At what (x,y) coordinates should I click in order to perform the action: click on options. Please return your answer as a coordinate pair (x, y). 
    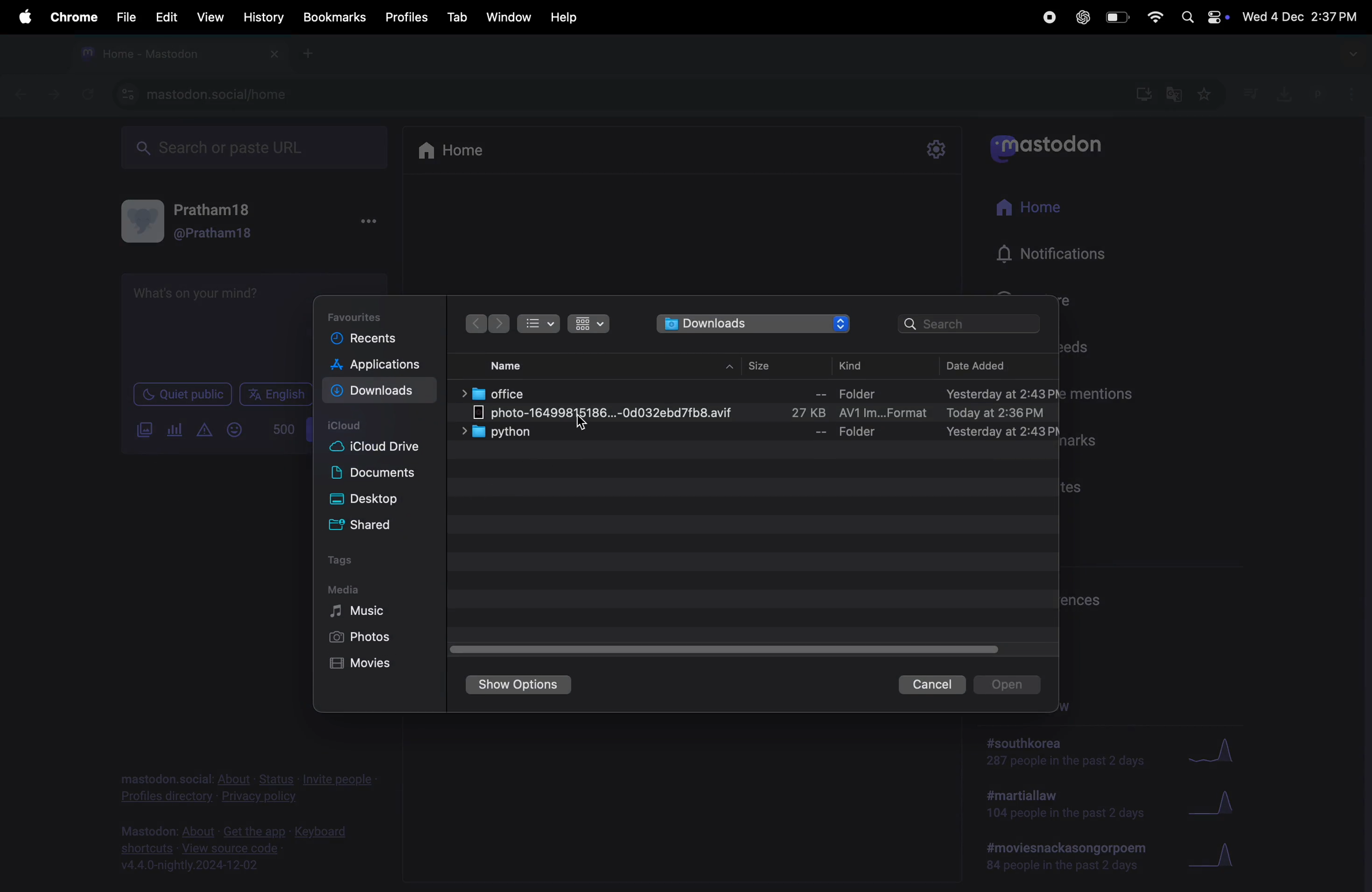
    Looking at the image, I should click on (367, 222).